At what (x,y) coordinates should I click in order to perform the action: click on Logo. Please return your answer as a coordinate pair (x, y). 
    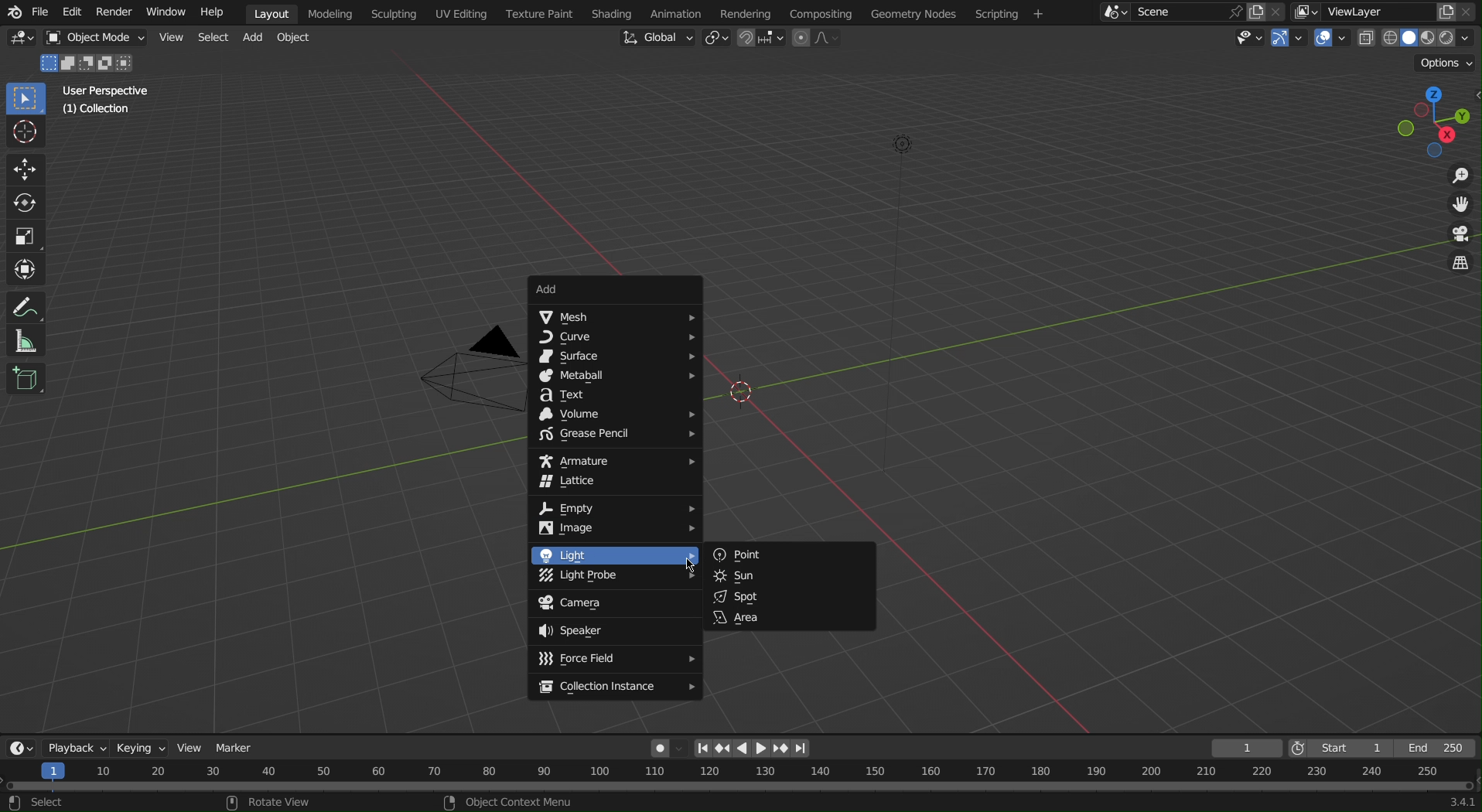
    Looking at the image, I should click on (12, 13).